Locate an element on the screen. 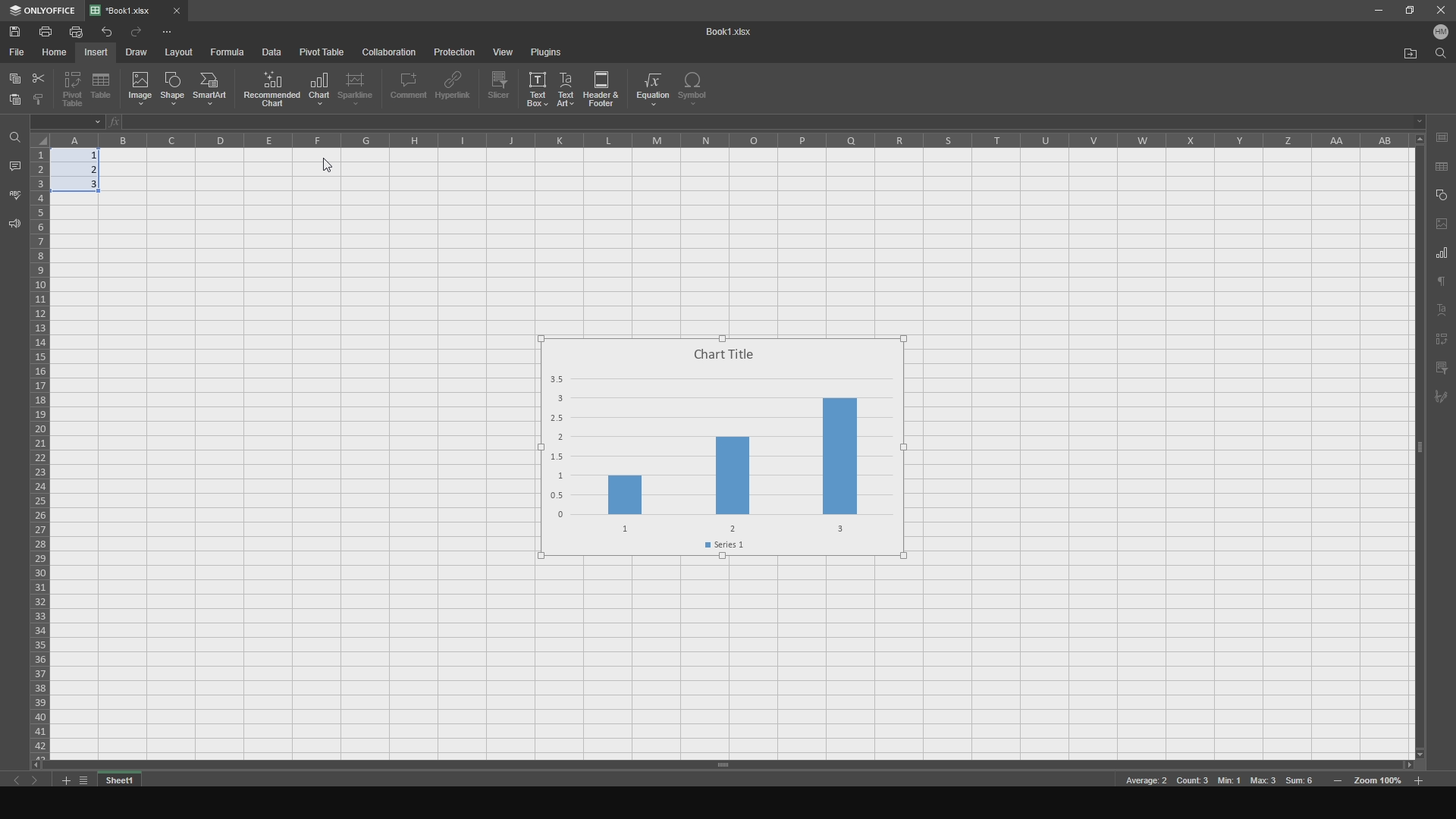 The height and width of the screenshot is (819, 1456). formula is located at coordinates (229, 52).